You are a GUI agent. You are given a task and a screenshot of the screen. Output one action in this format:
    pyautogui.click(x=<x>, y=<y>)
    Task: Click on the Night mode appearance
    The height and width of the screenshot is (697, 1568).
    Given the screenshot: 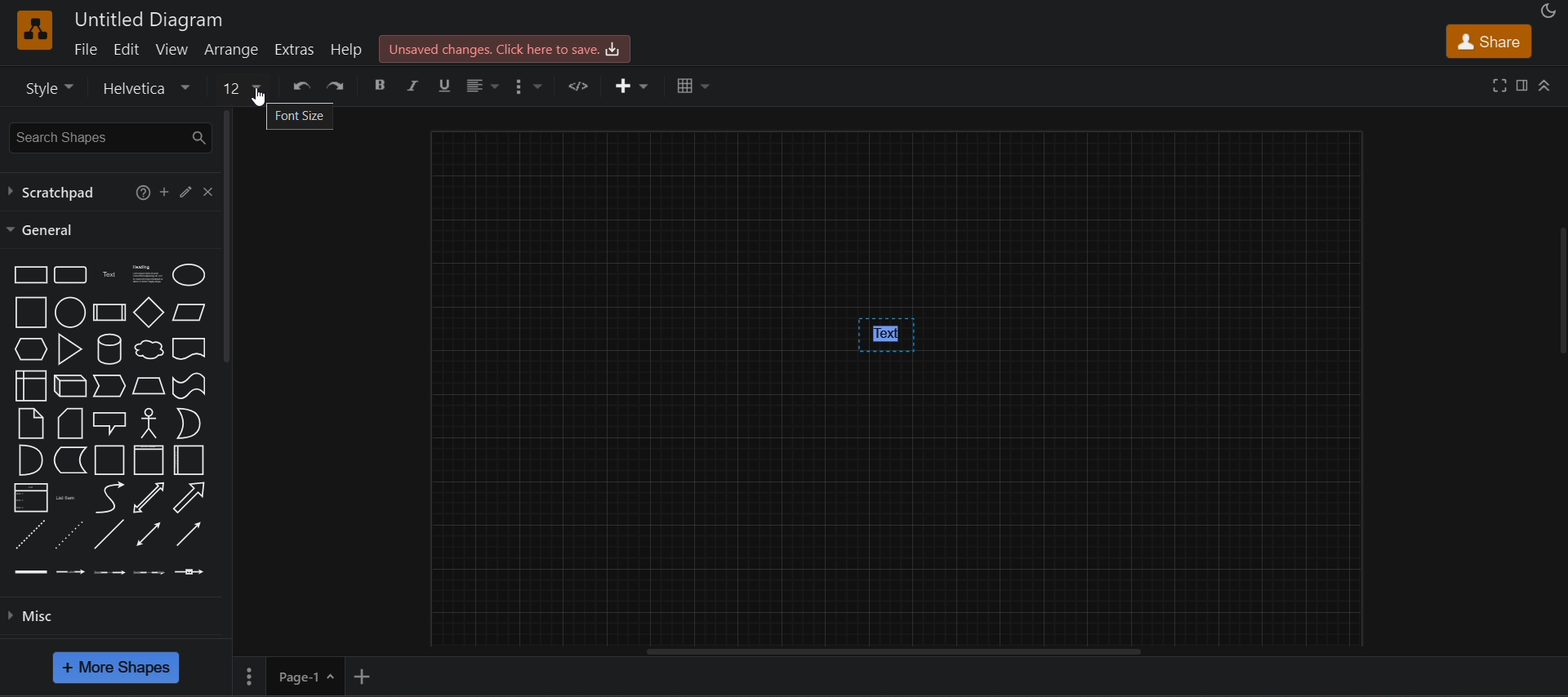 What is the action you would take?
    pyautogui.click(x=1549, y=11)
    